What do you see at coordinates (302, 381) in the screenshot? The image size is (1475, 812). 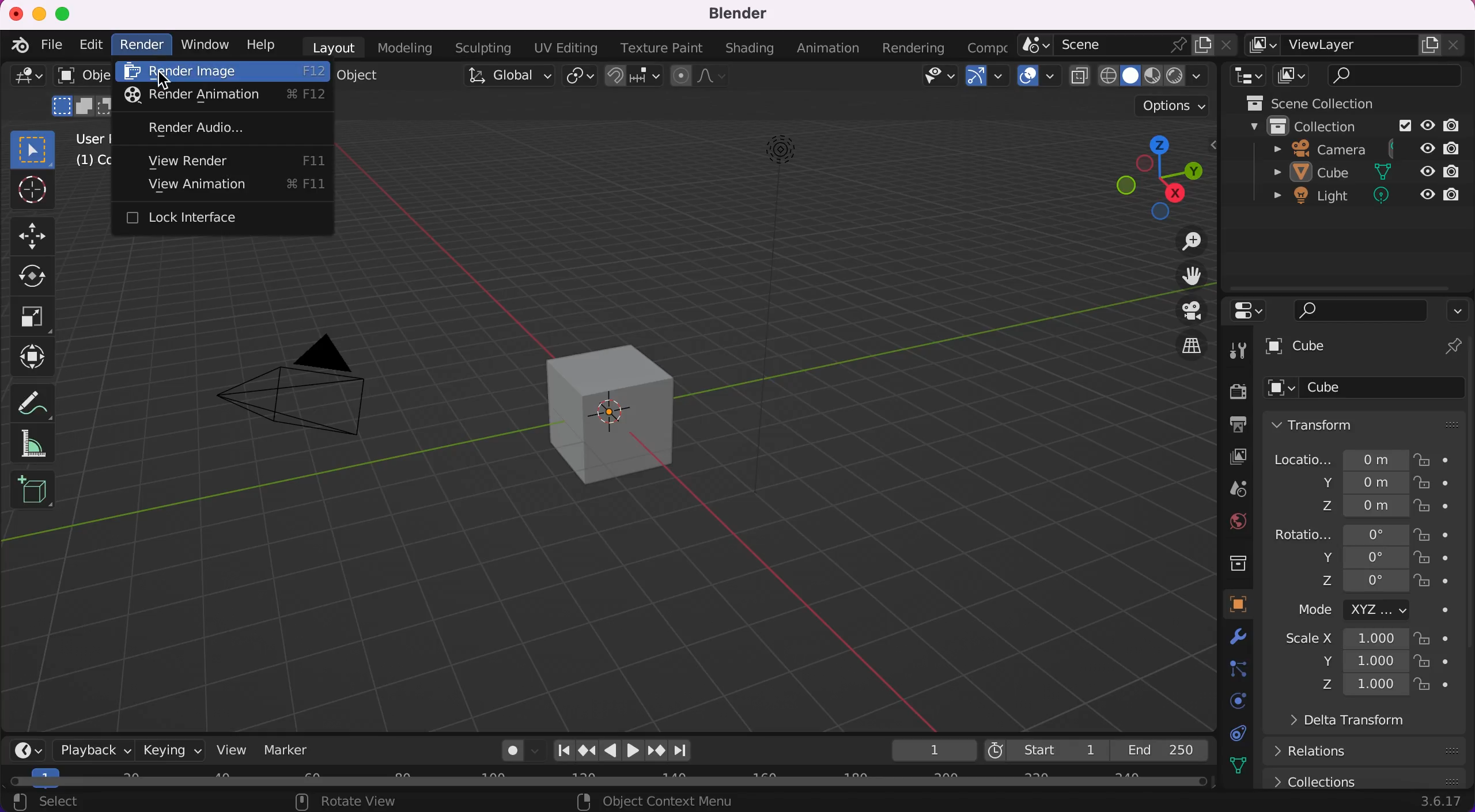 I see `camera` at bounding box center [302, 381].